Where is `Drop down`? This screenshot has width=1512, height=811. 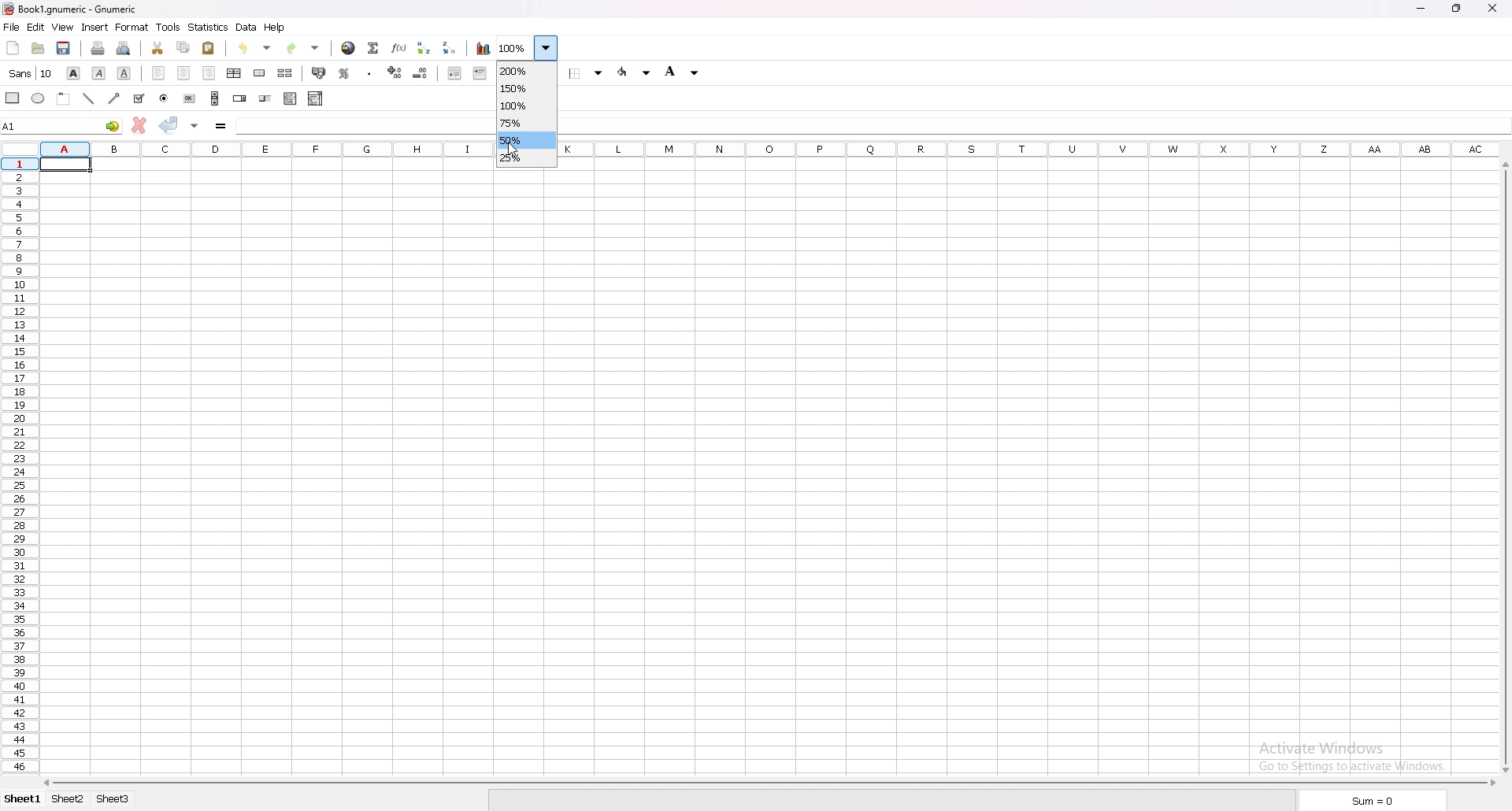 Drop down is located at coordinates (266, 48).